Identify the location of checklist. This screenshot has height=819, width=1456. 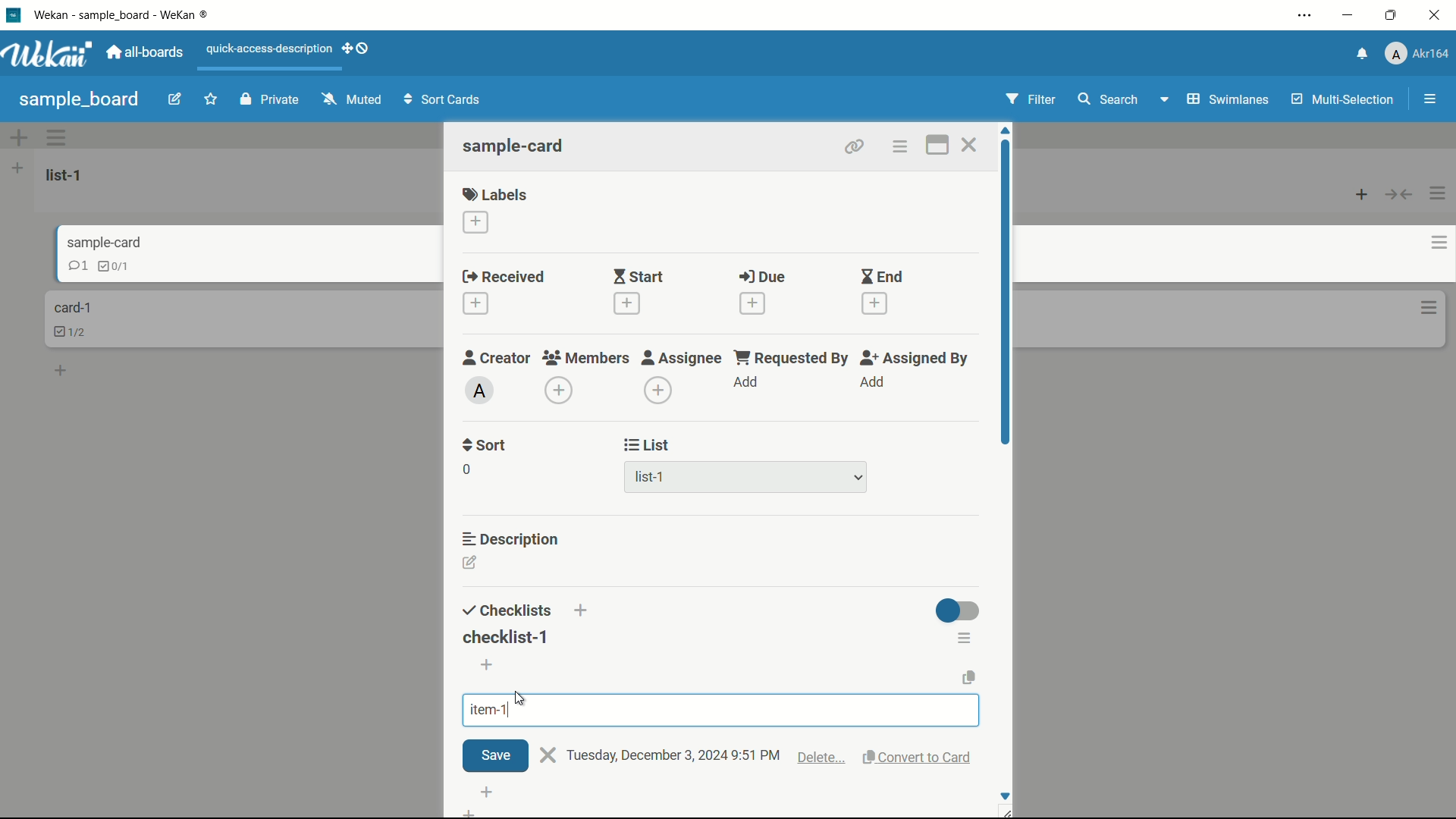
(102, 265).